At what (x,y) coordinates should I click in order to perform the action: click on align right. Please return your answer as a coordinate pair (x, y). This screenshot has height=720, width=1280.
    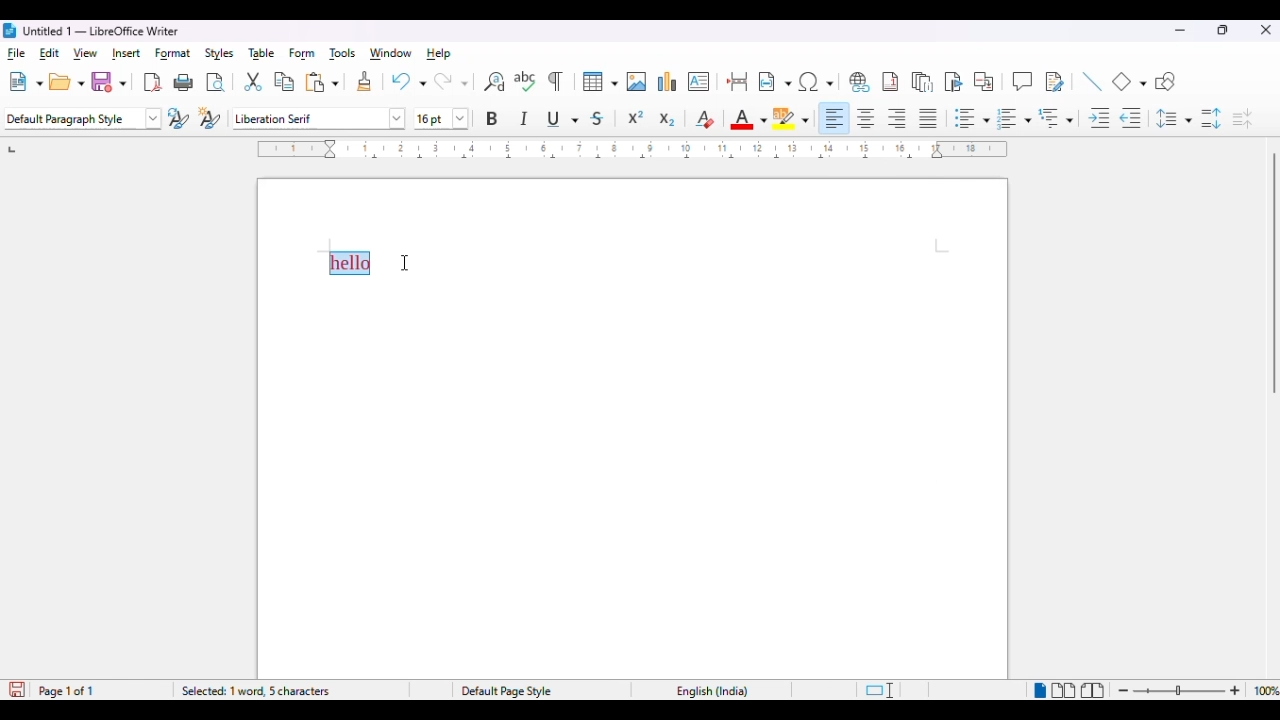
    Looking at the image, I should click on (898, 119).